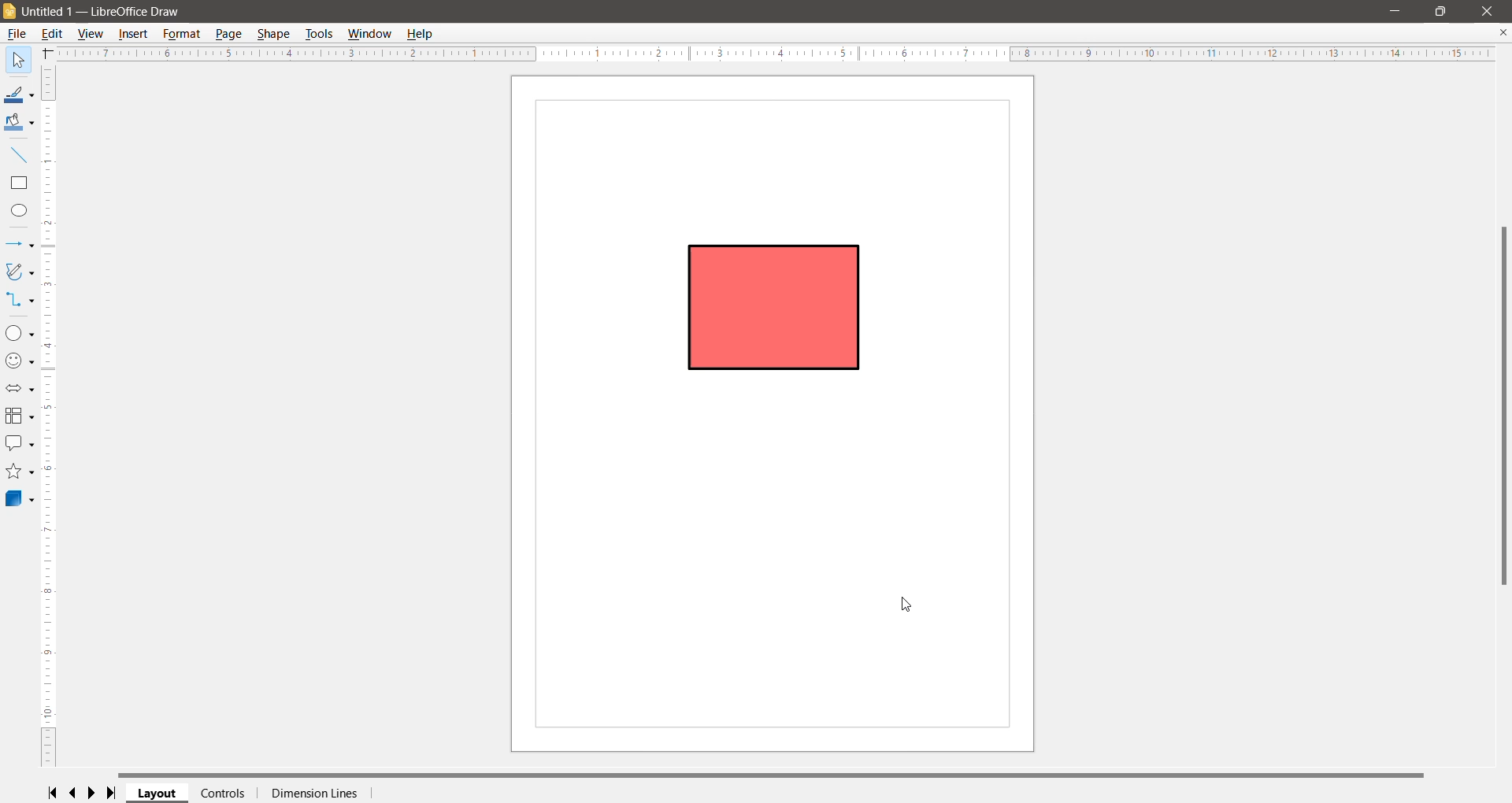  I want to click on Flowchart, so click(19, 417).